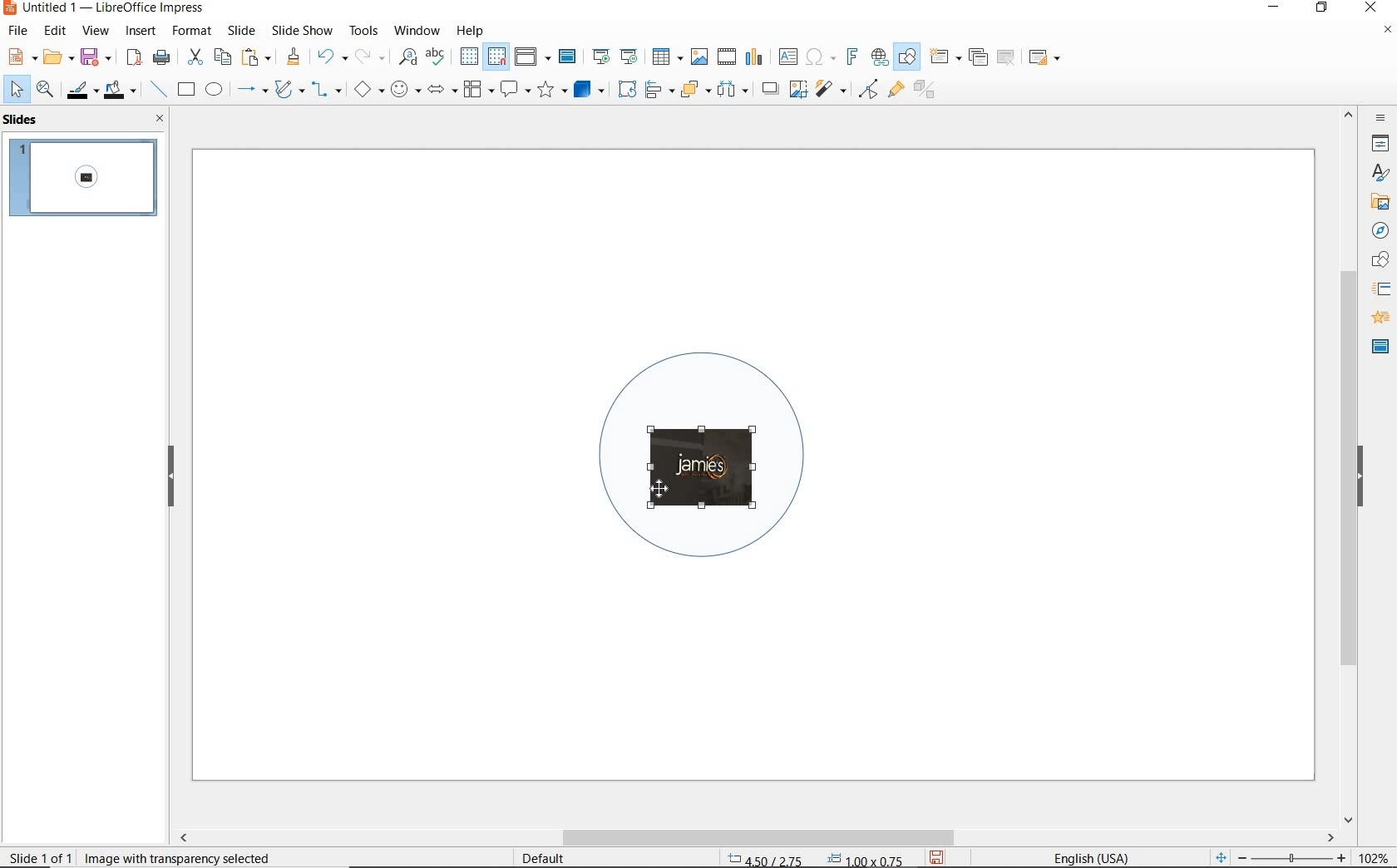 Image resolution: width=1397 pixels, height=868 pixels. What do you see at coordinates (570, 57) in the screenshot?
I see `master slide` at bounding box center [570, 57].